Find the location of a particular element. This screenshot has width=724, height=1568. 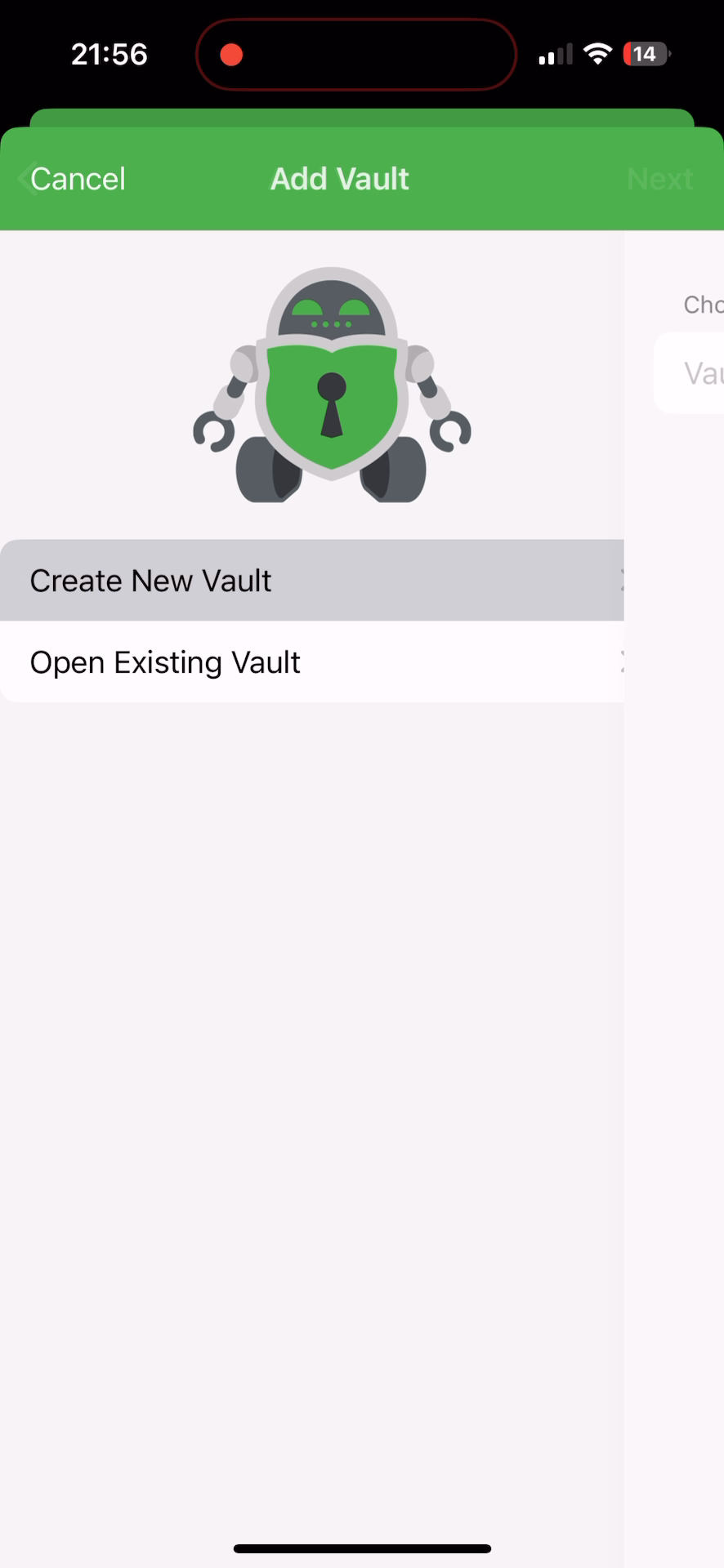

cancel is located at coordinates (80, 180).